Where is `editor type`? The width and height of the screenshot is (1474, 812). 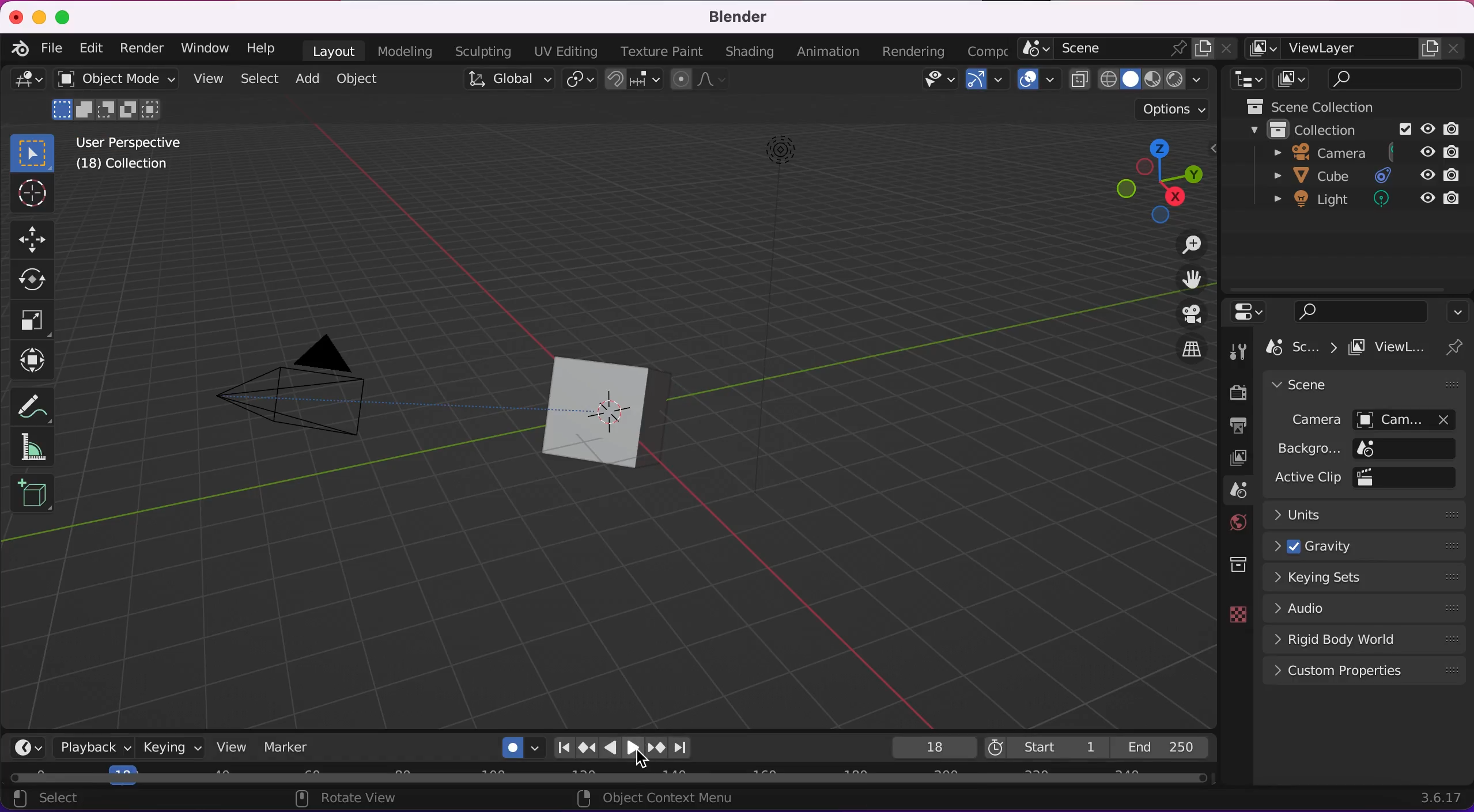
editor type is located at coordinates (1246, 79).